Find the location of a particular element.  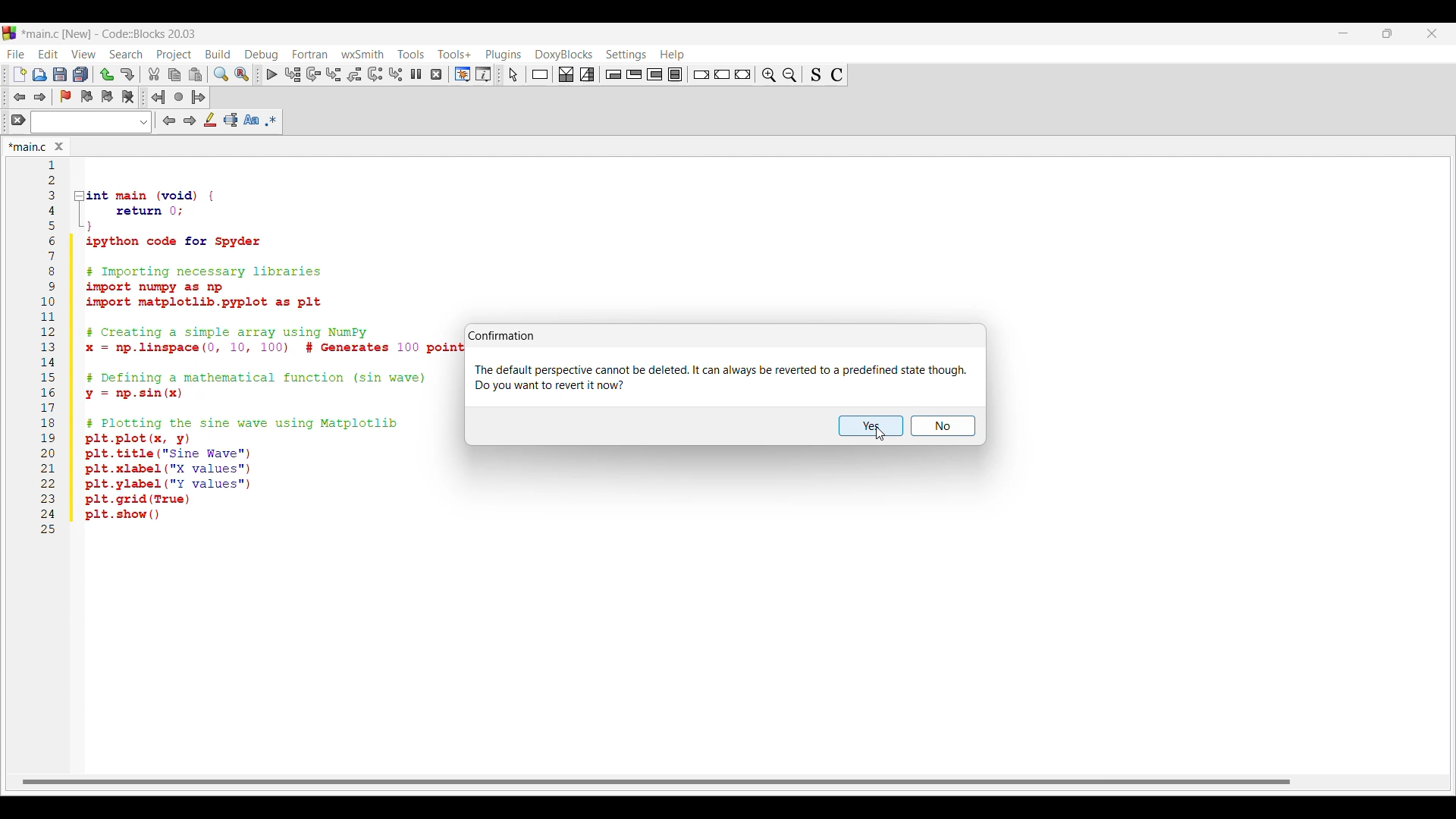

Step into is located at coordinates (334, 74).